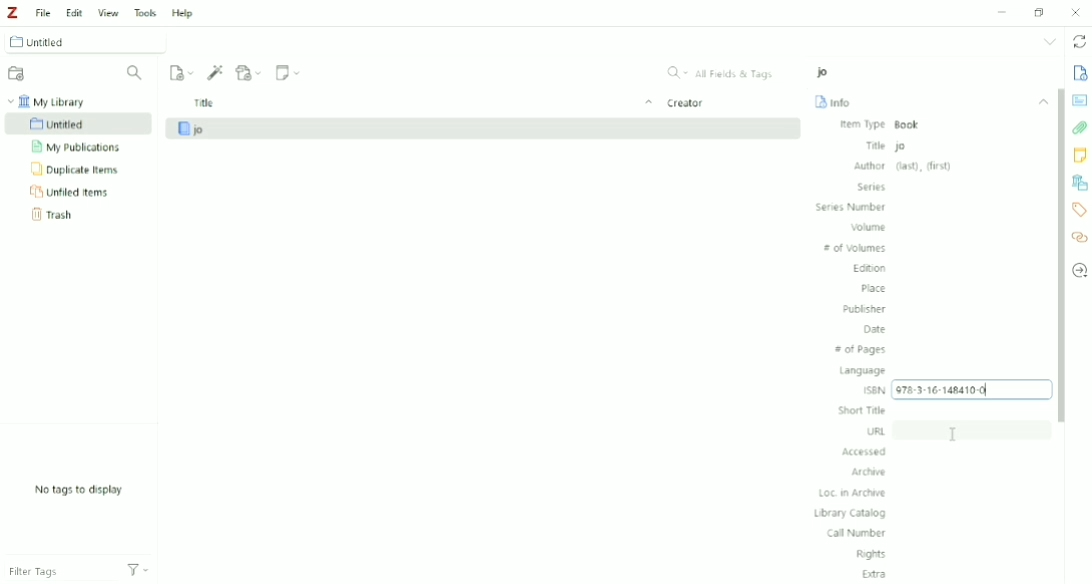  I want to click on Add Attachment, so click(250, 72).